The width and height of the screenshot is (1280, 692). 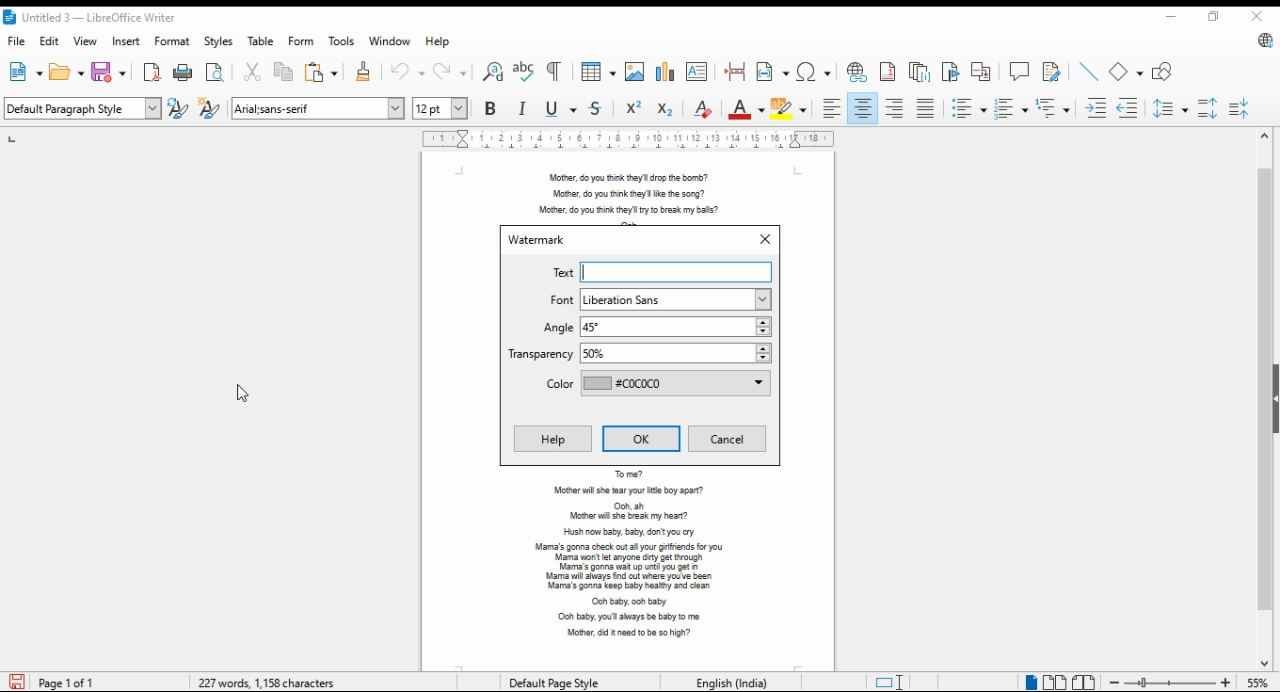 What do you see at coordinates (126, 41) in the screenshot?
I see `insert` at bounding box center [126, 41].